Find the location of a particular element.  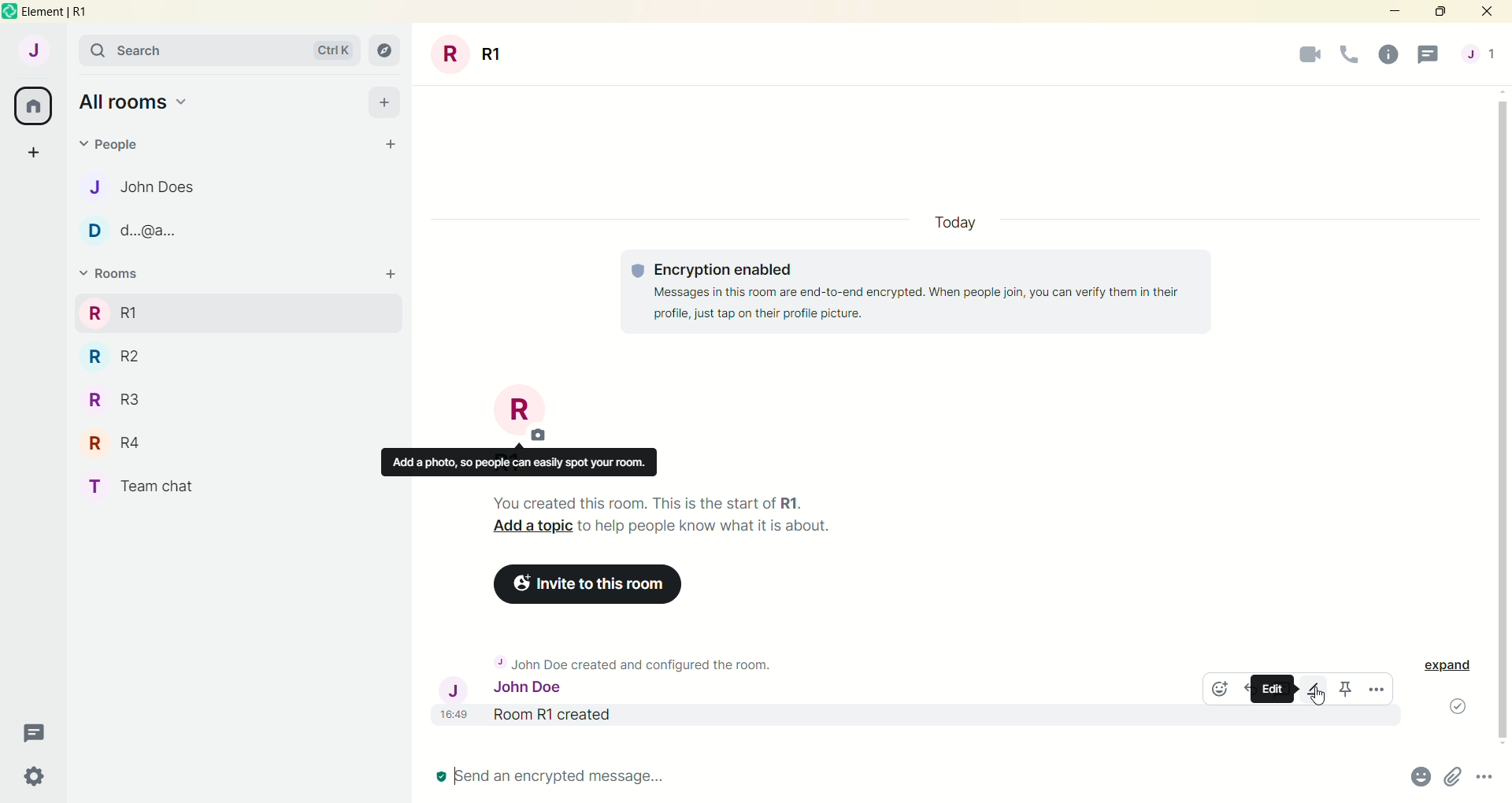

quick settings is located at coordinates (40, 774).